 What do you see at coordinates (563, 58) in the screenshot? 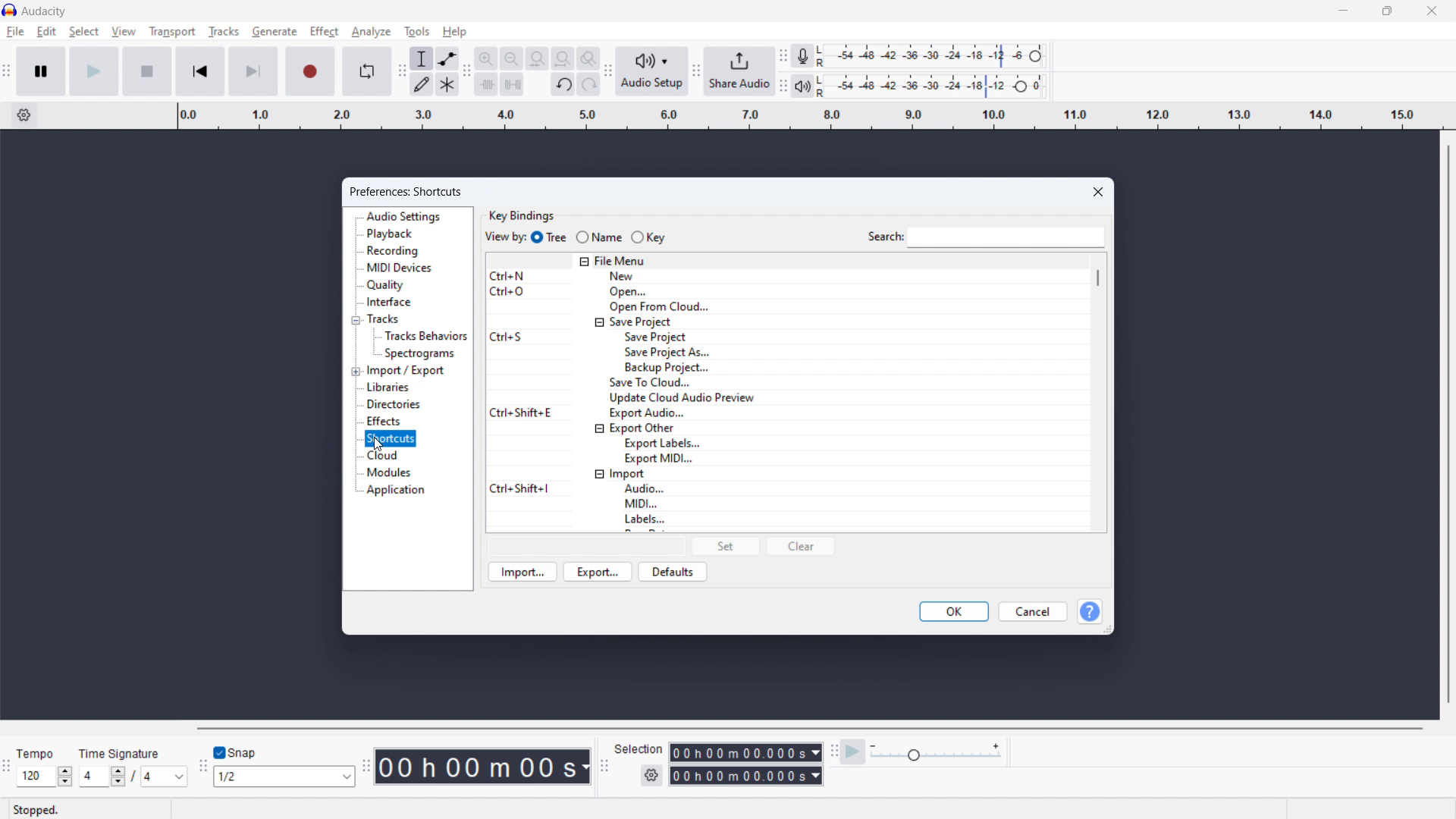
I see `fit project to width` at bounding box center [563, 58].